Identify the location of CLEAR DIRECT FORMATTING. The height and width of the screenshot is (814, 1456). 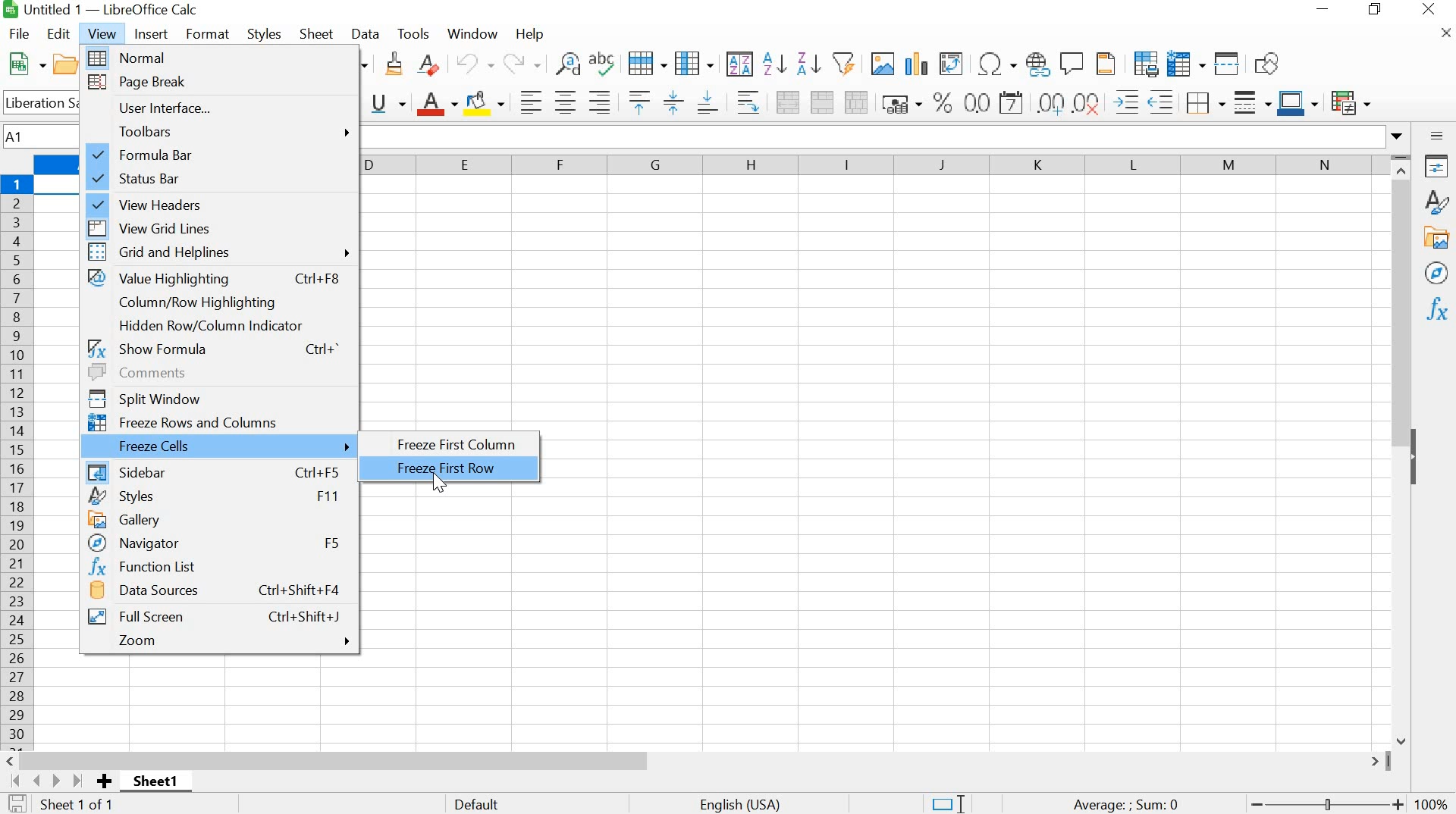
(435, 67).